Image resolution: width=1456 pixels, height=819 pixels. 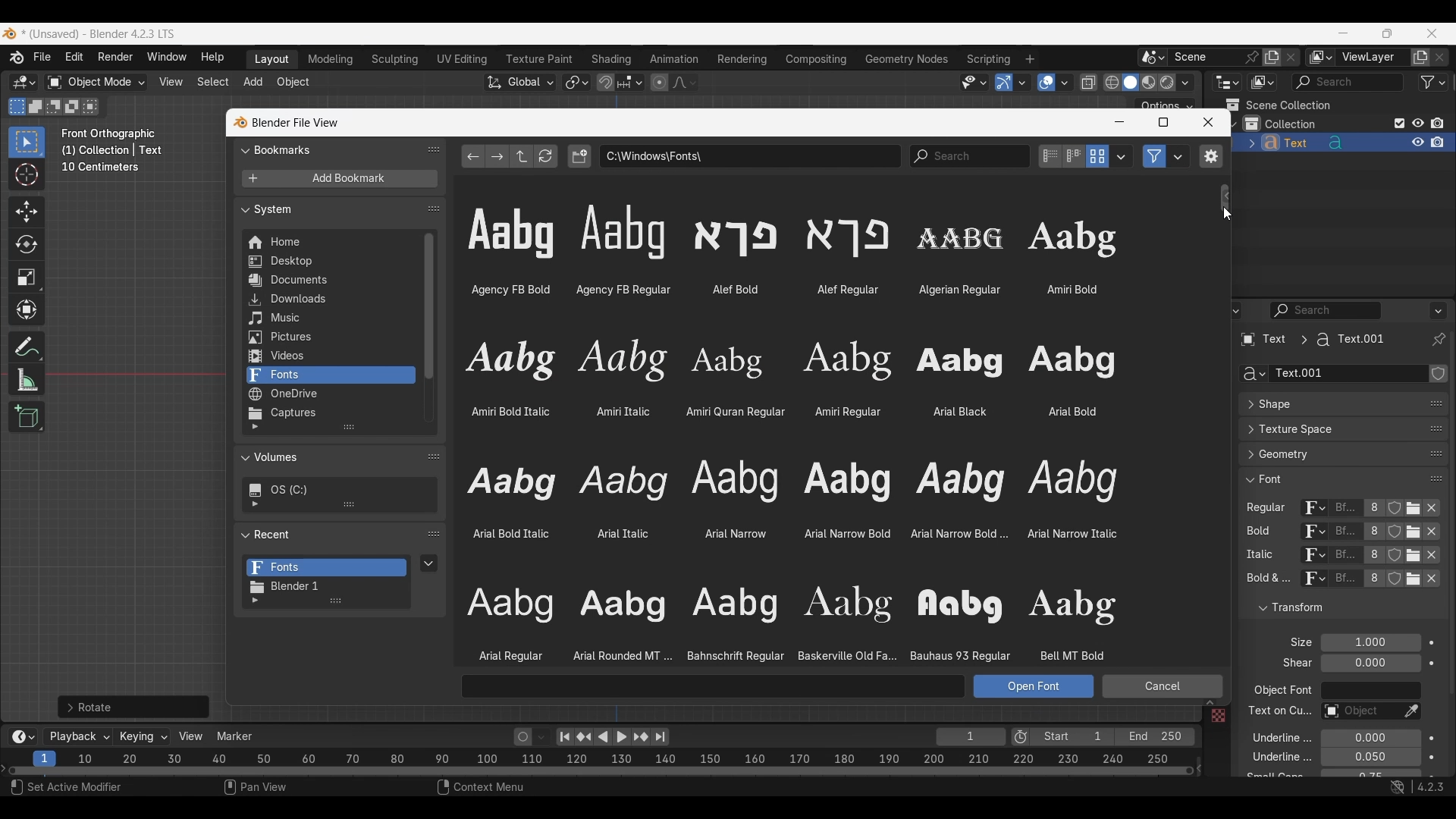 What do you see at coordinates (255, 427) in the screenshot?
I see `Show filtering options` at bounding box center [255, 427].